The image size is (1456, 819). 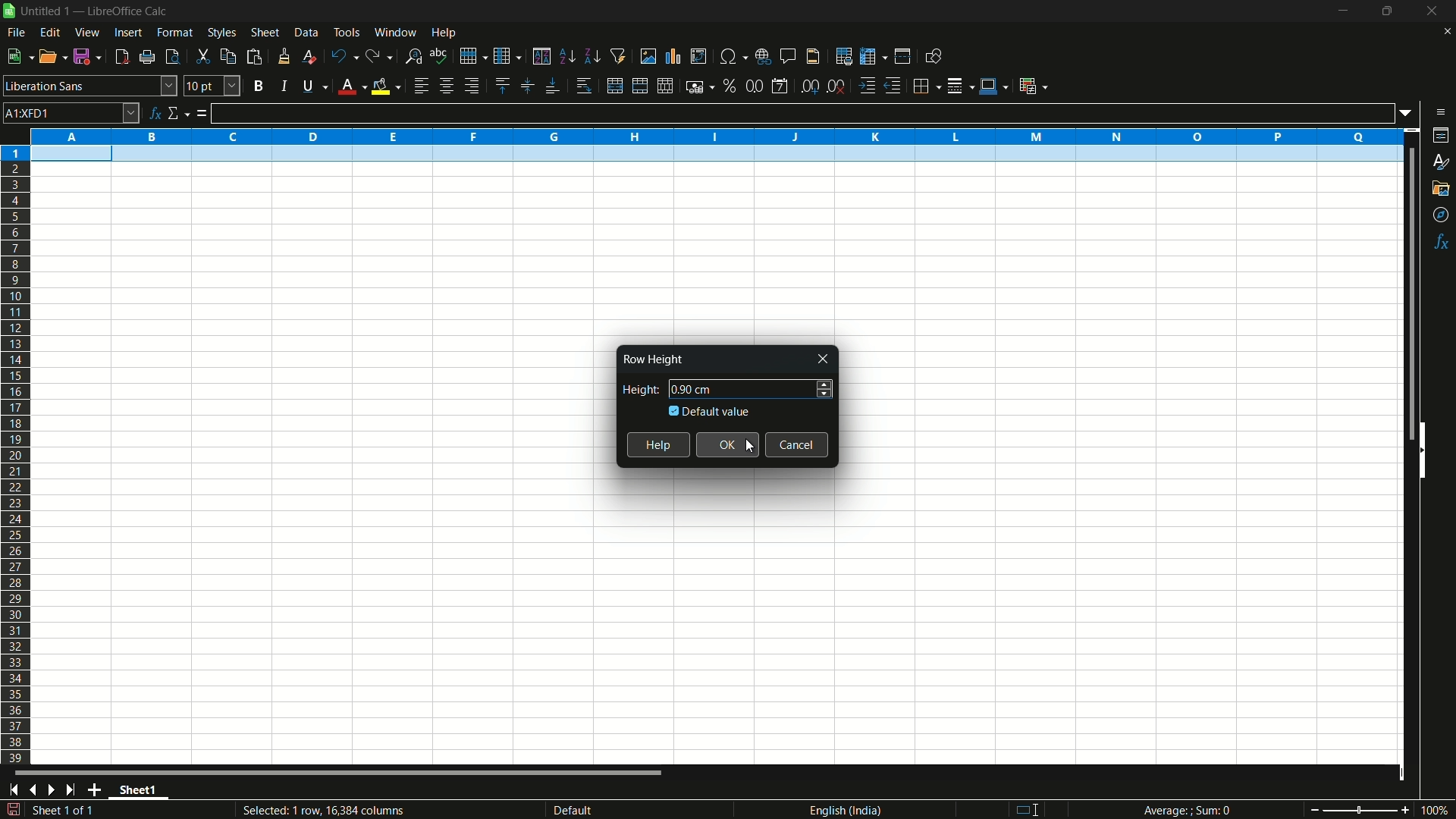 I want to click on redo, so click(x=380, y=57).